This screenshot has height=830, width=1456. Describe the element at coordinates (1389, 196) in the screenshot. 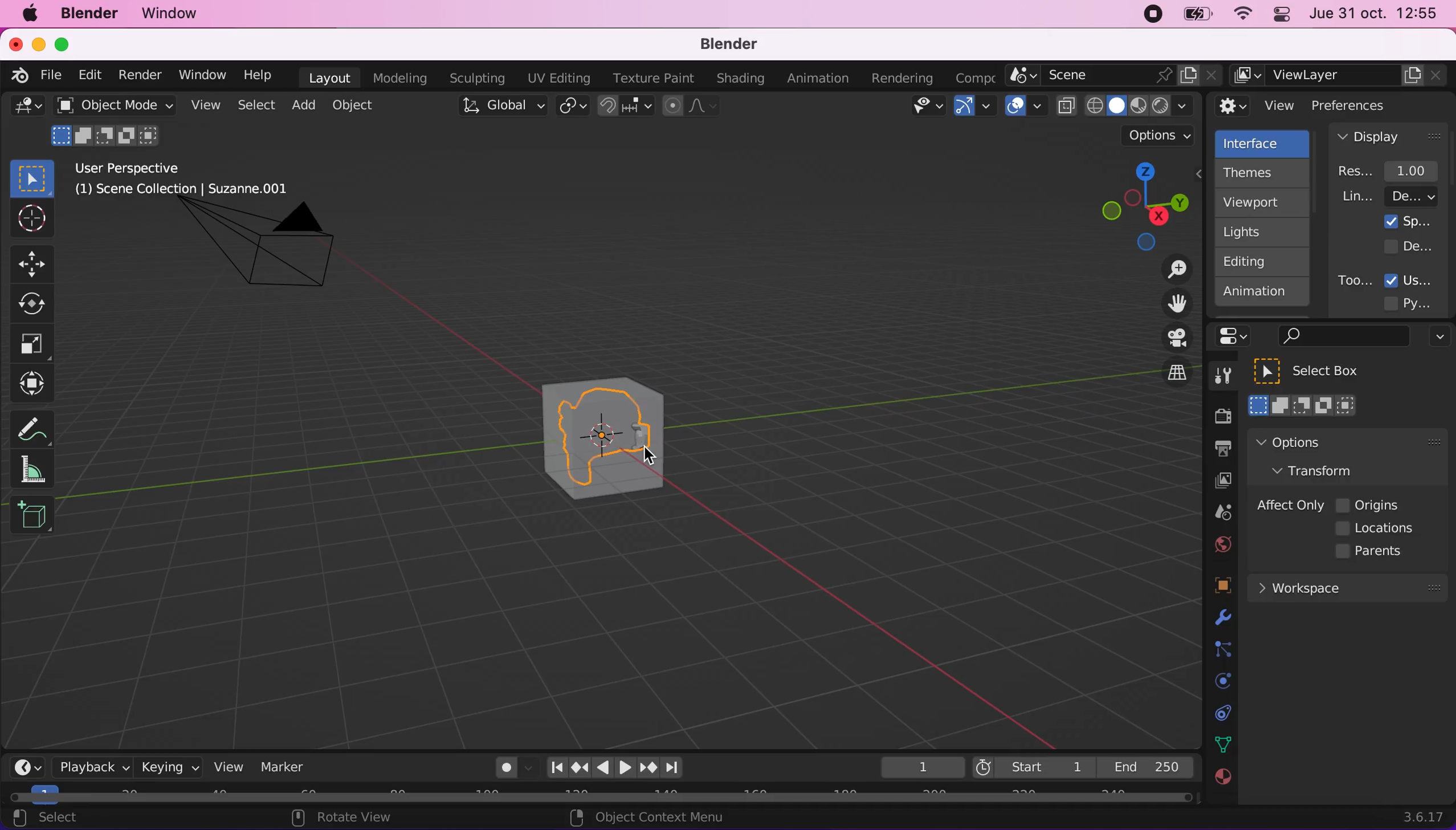

I see `line width` at that location.